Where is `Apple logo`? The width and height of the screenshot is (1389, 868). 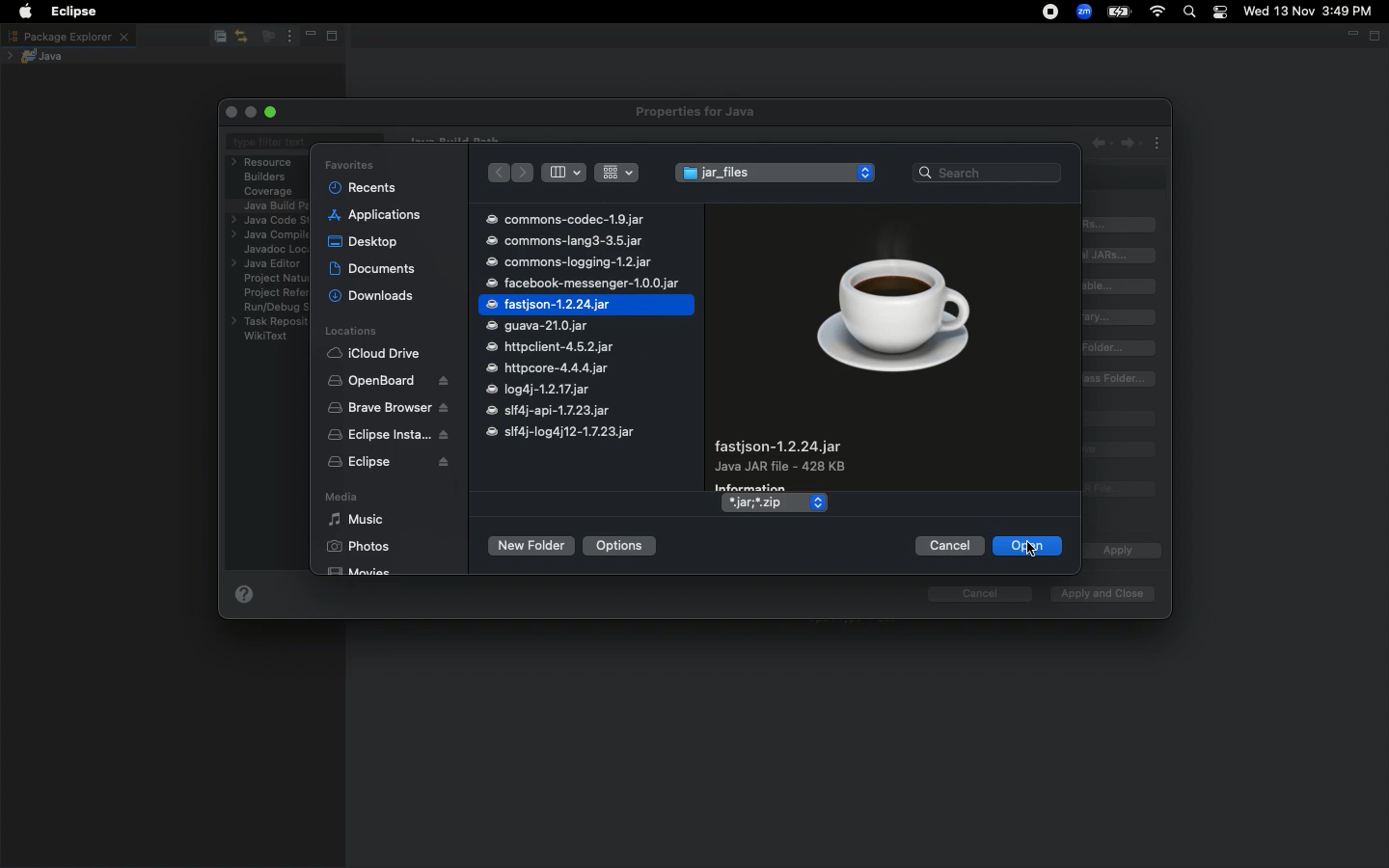 Apple logo is located at coordinates (25, 12).